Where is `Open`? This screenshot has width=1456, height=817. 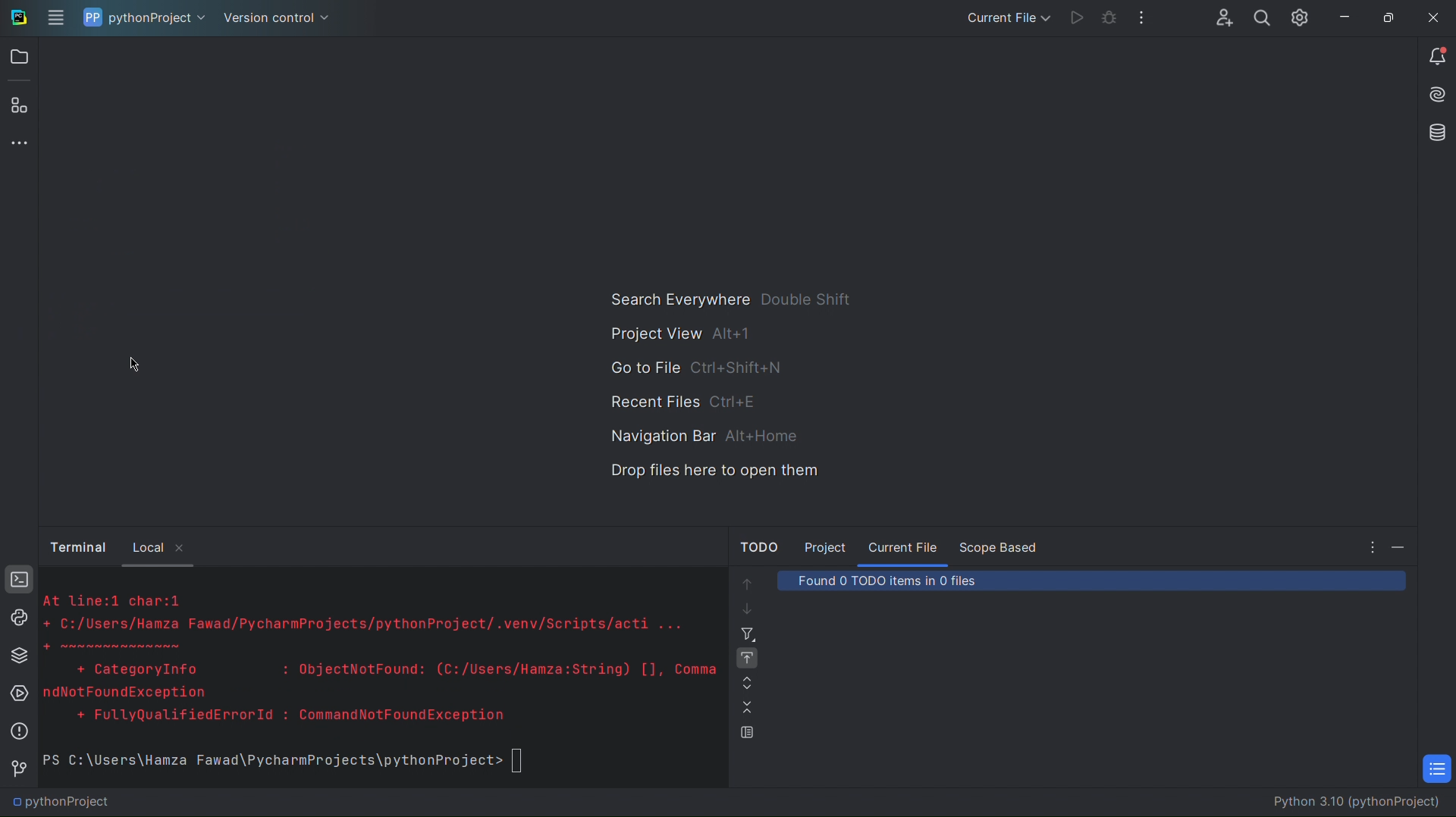 Open is located at coordinates (20, 55).